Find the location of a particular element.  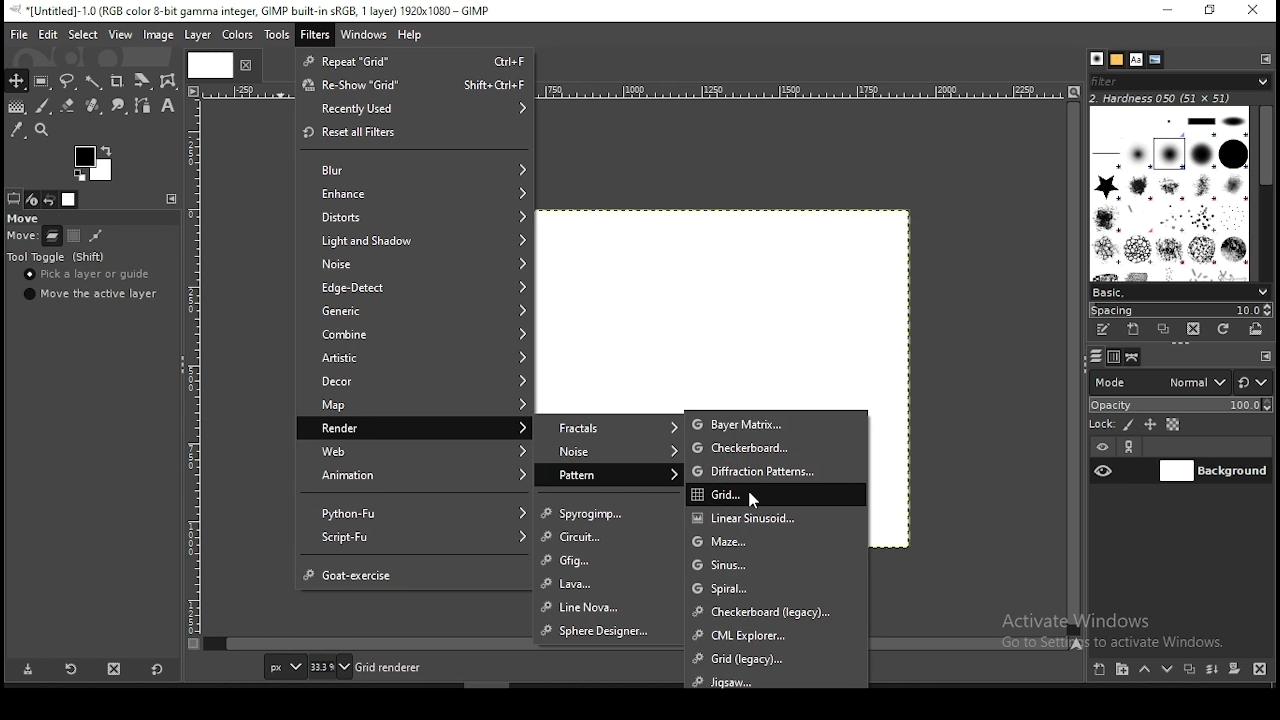

minimize is located at coordinates (1170, 12).